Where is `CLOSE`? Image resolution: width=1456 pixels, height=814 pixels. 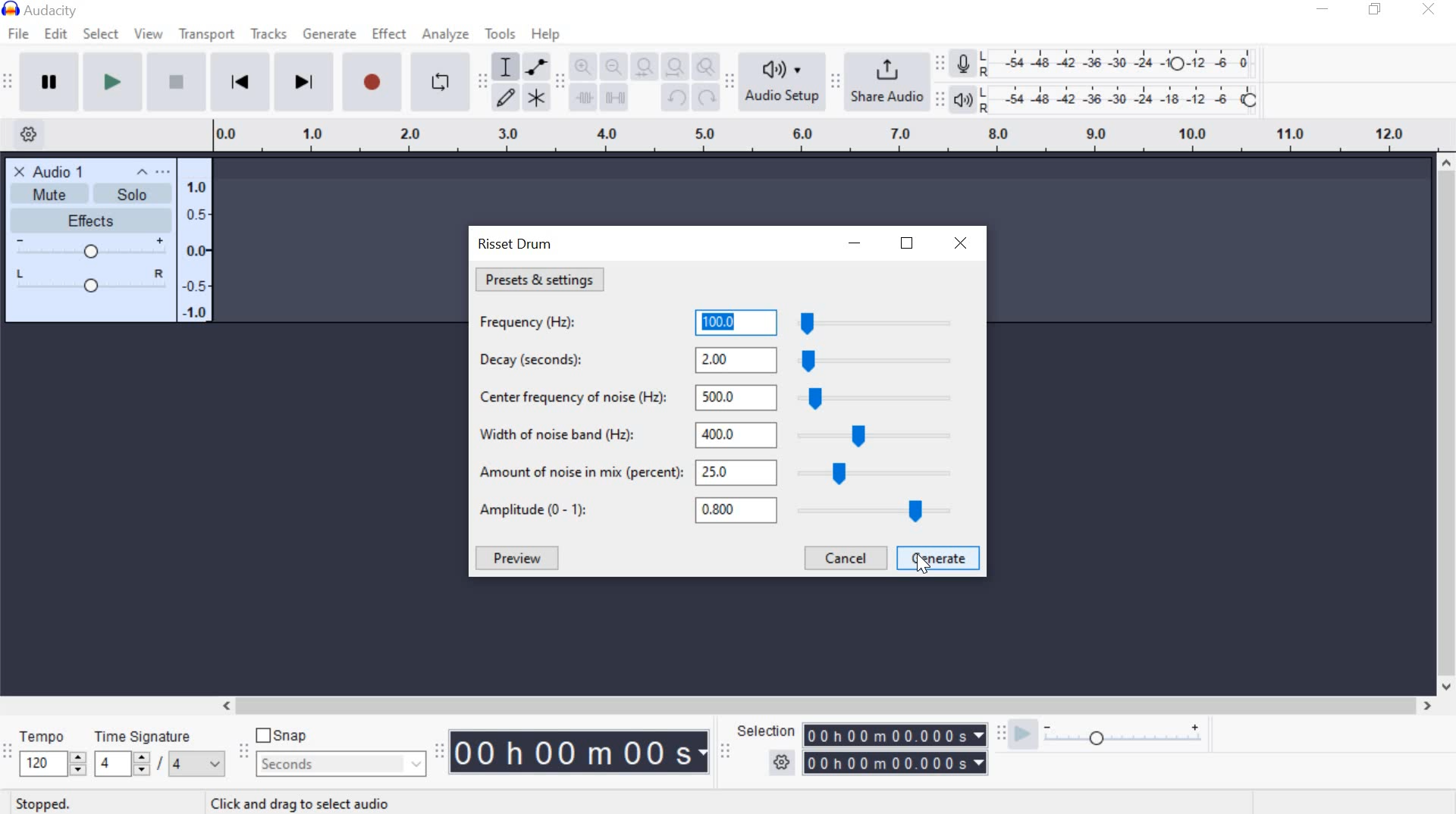 CLOSE is located at coordinates (961, 243).